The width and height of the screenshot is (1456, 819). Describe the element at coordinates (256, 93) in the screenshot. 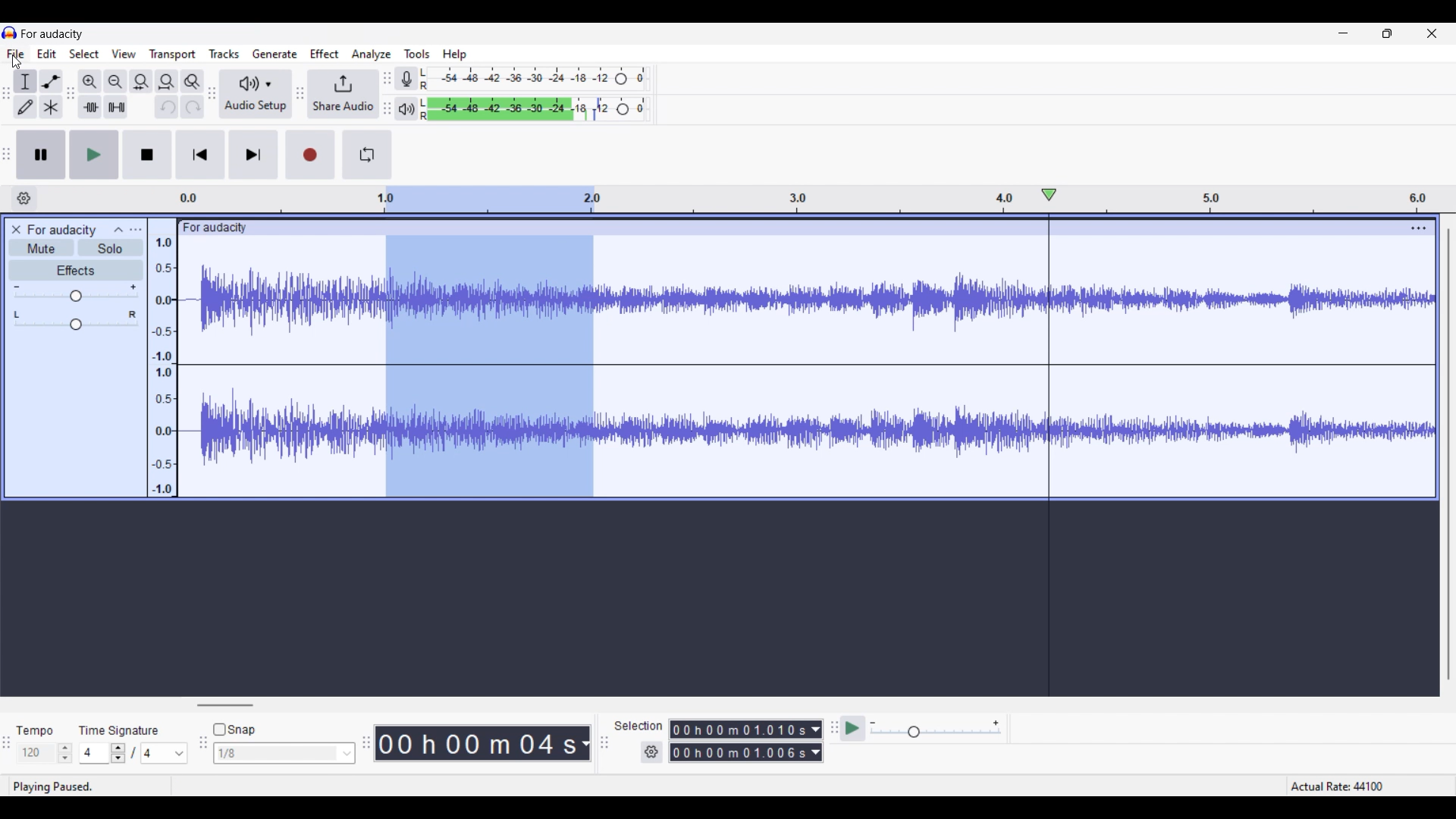

I see `Audio setup` at that location.